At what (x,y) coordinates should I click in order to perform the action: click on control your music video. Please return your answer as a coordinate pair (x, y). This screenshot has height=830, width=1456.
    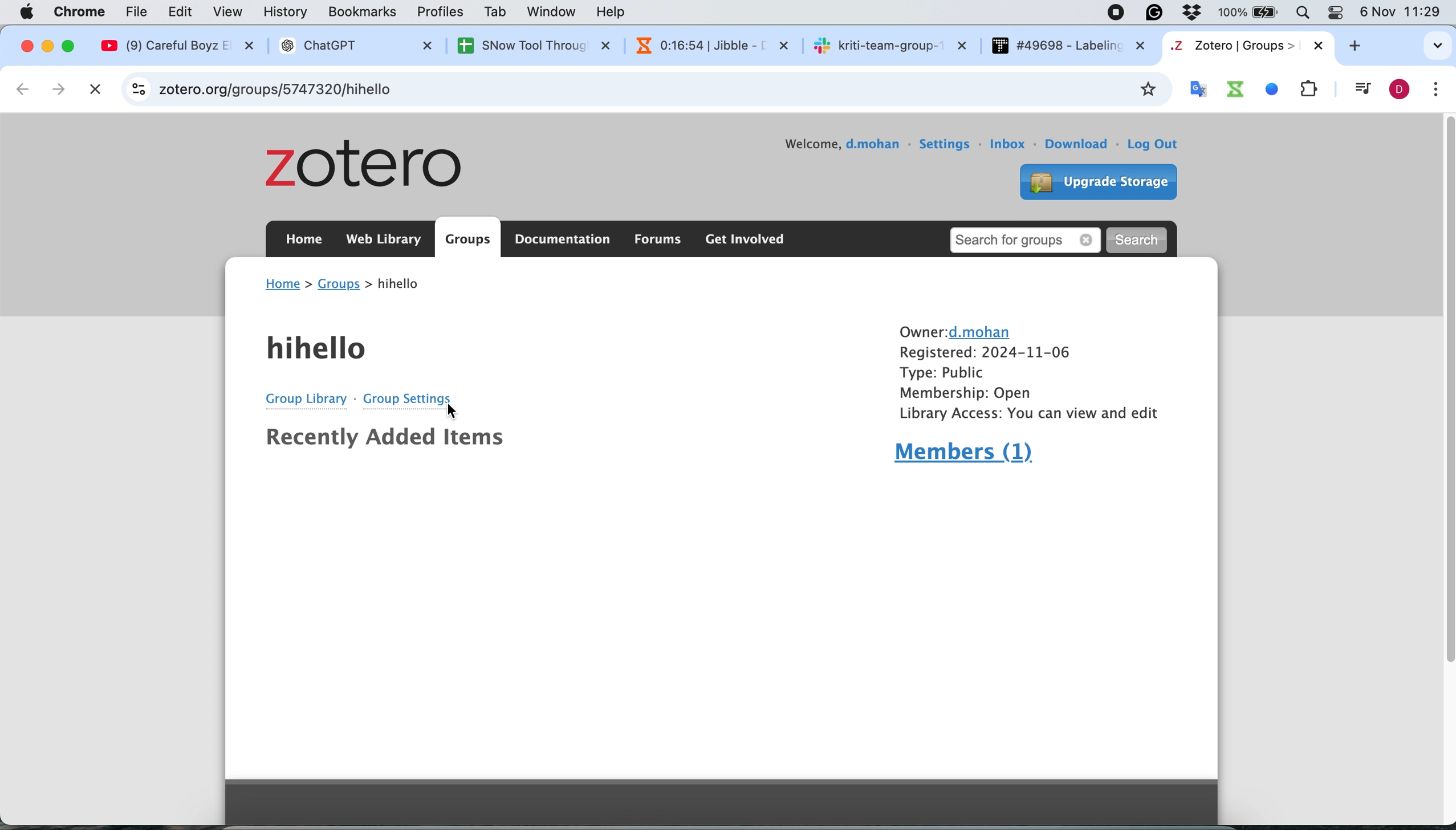
    Looking at the image, I should click on (1359, 89).